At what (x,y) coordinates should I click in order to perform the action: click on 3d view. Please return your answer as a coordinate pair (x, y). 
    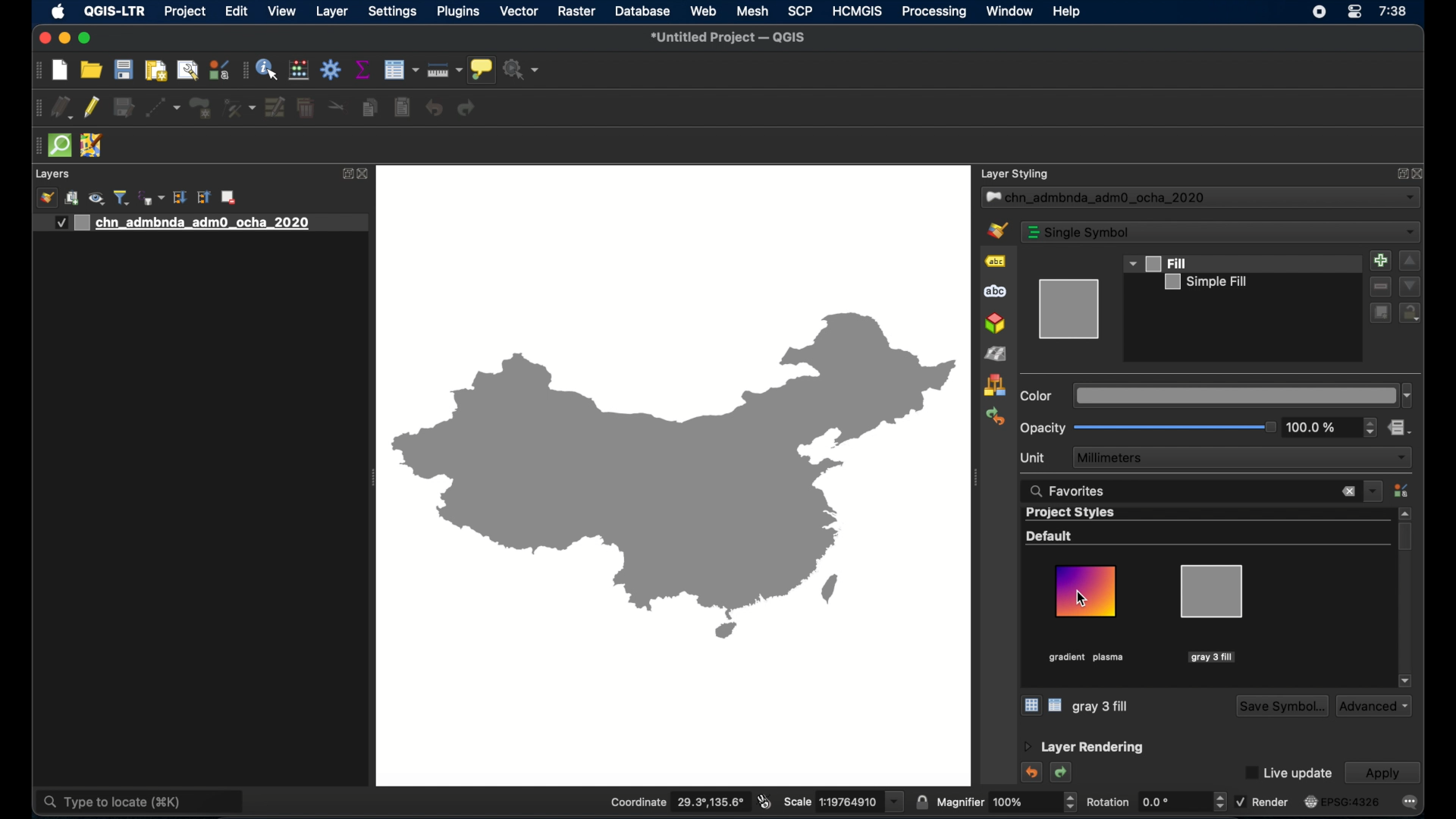
    Looking at the image, I should click on (995, 324).